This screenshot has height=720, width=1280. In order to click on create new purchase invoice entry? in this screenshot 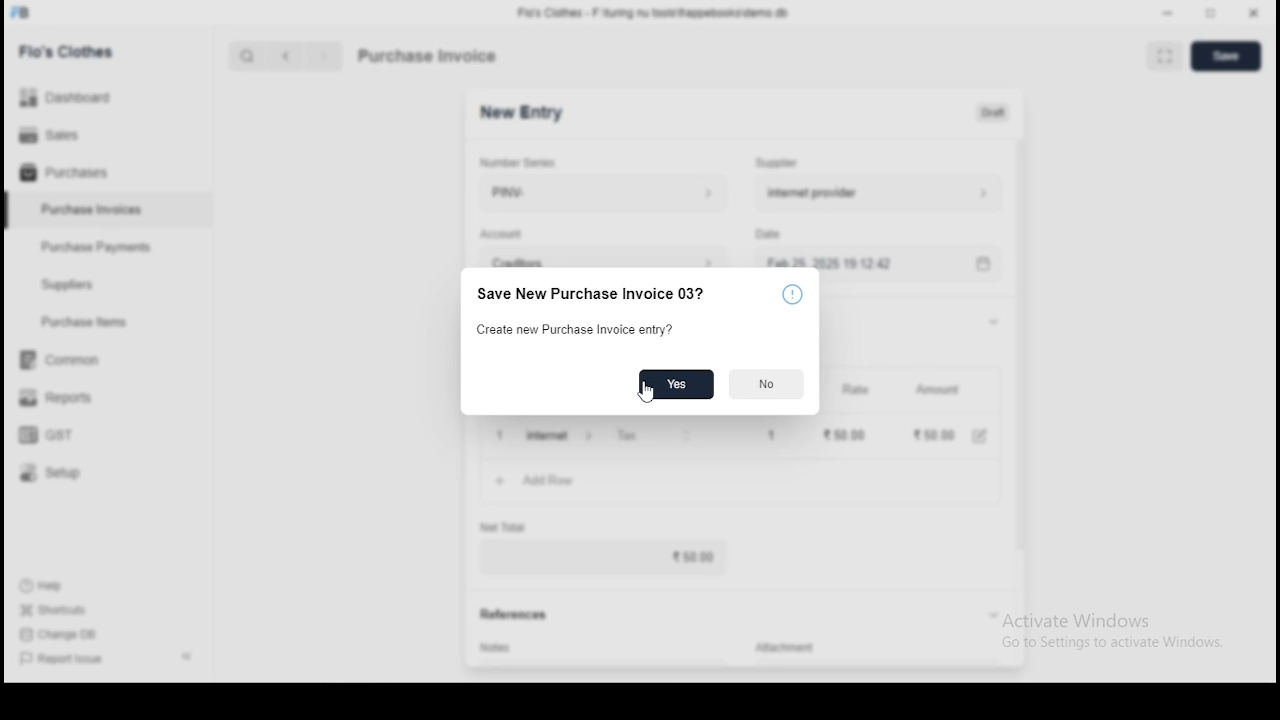, I will do `click(584, 331)`.